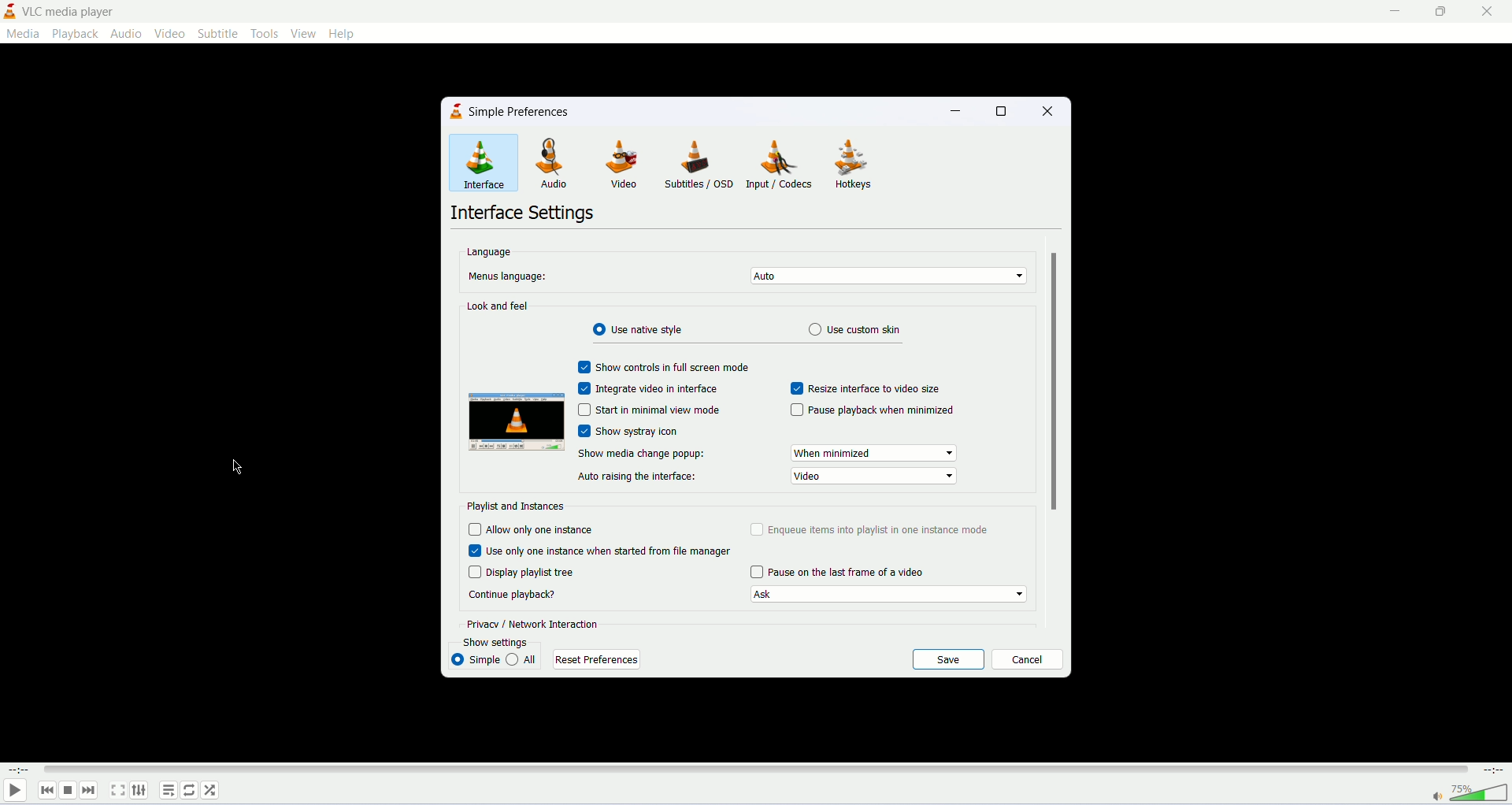 This screenshot has width=1512, height=805. What do you see at coordinates (958, 109) in the screenshot?
I see `minimize` at bounding box center [958, 109].